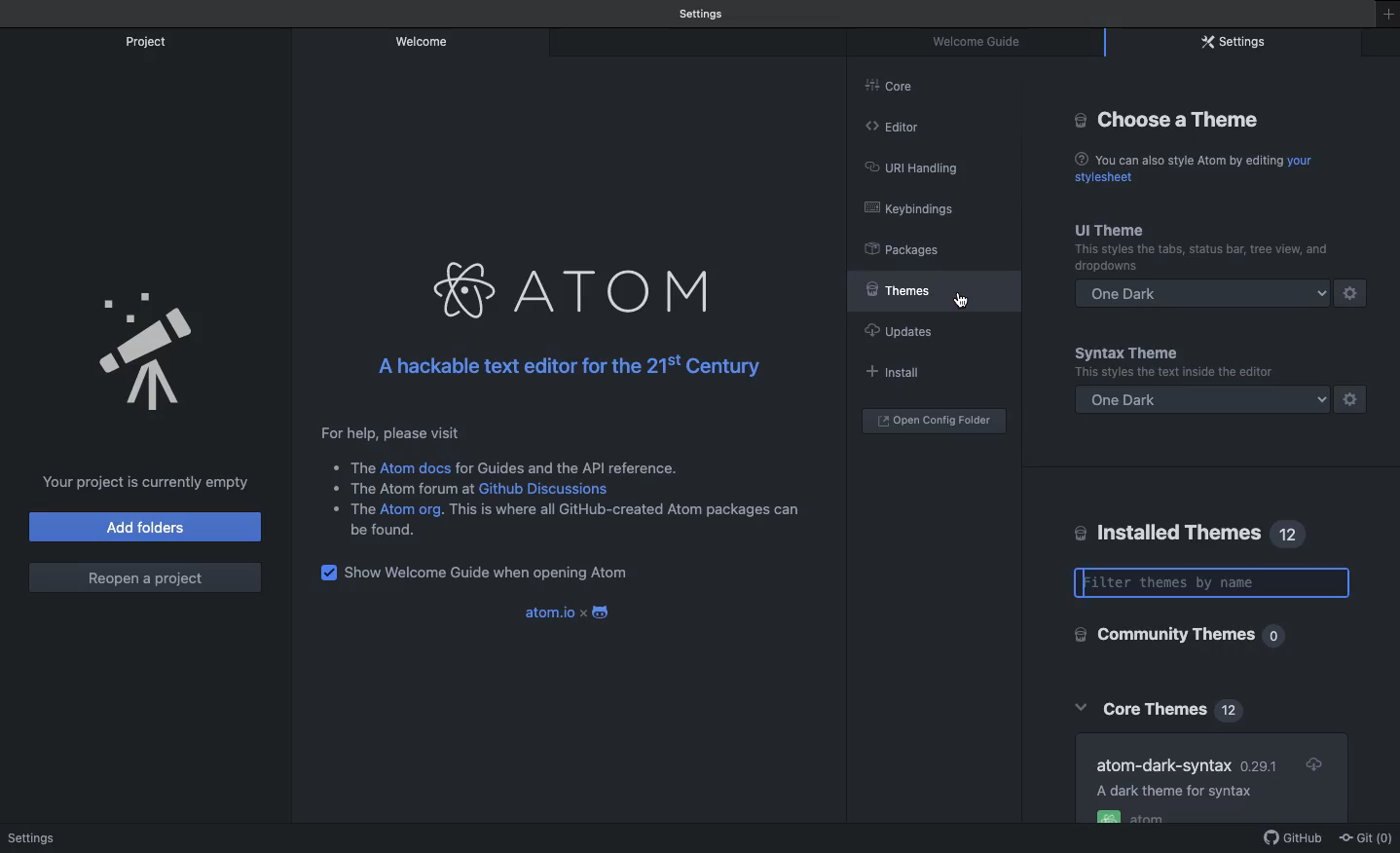 Image resolution: width=1400 pixels, height=853 pixels. What do you see at coordinates (903, 330) in the screenshot?
I see `Updates` at bounding box center [903, 330].